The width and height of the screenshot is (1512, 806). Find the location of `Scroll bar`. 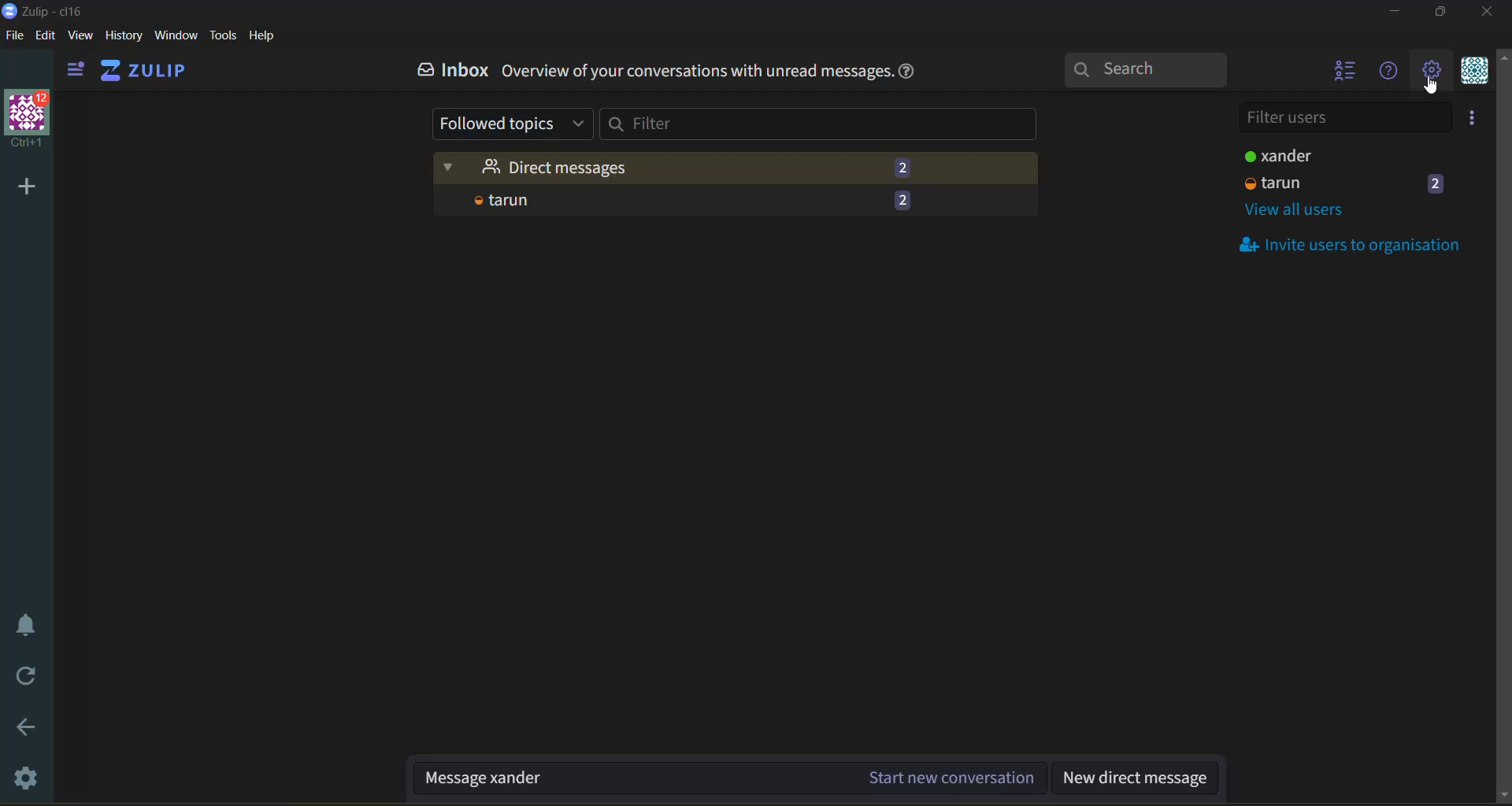

Scroll bar is located at coordinates (1503, 428).